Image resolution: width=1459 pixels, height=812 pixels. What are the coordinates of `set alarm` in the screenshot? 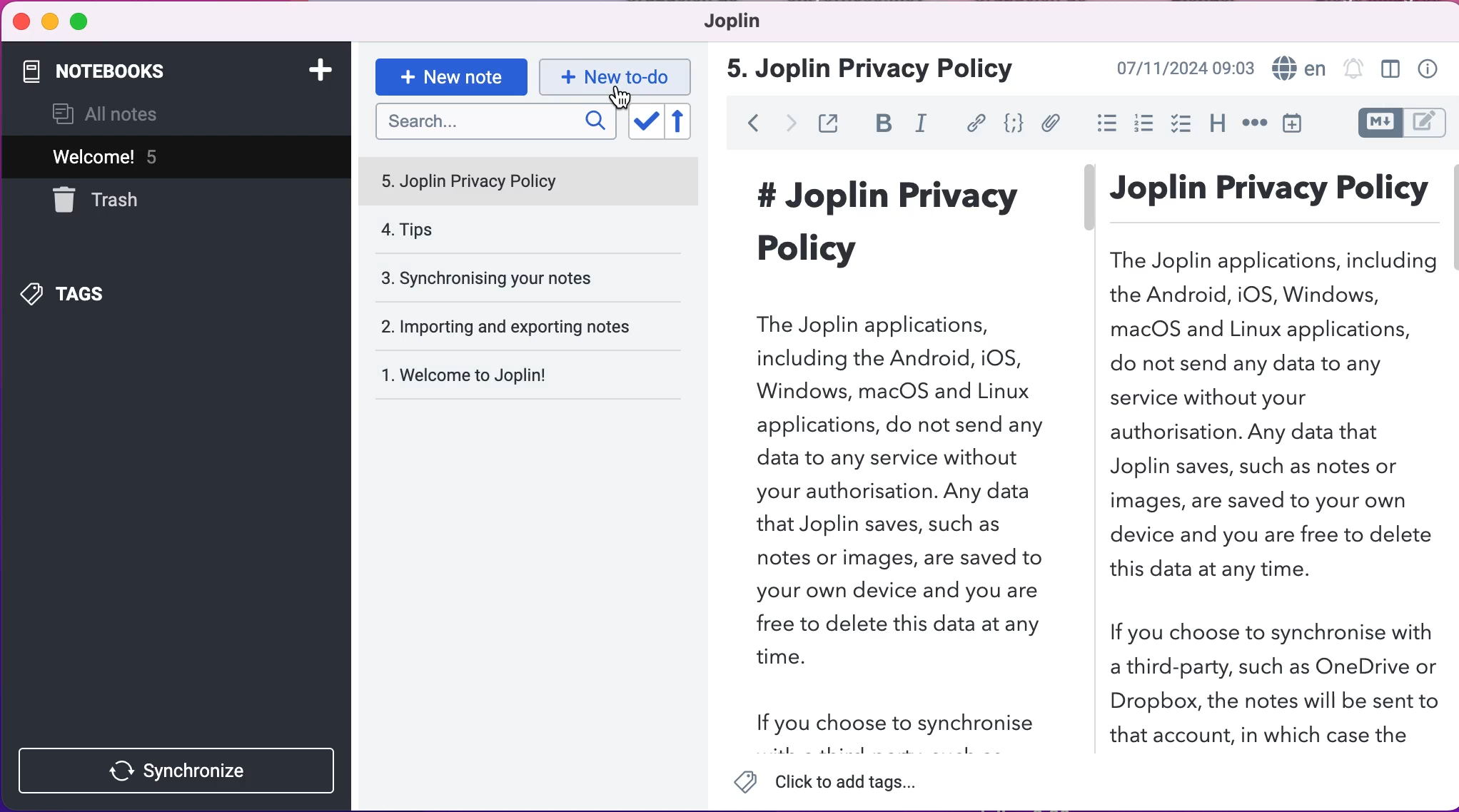 It's located at (1351, 66).